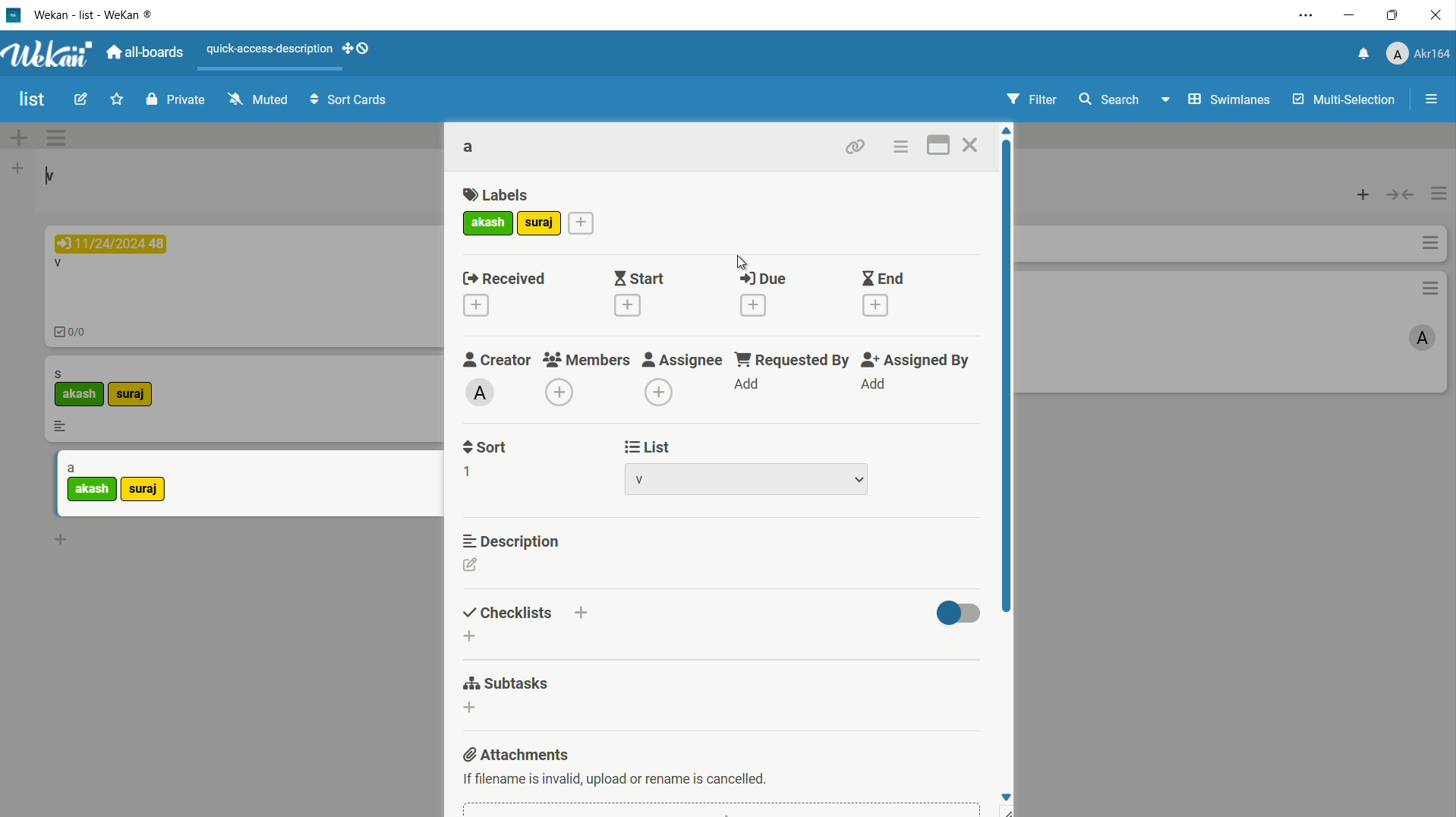  Describe the element at coordinates (65, 426) in the screenshot. I see `more` at that location.